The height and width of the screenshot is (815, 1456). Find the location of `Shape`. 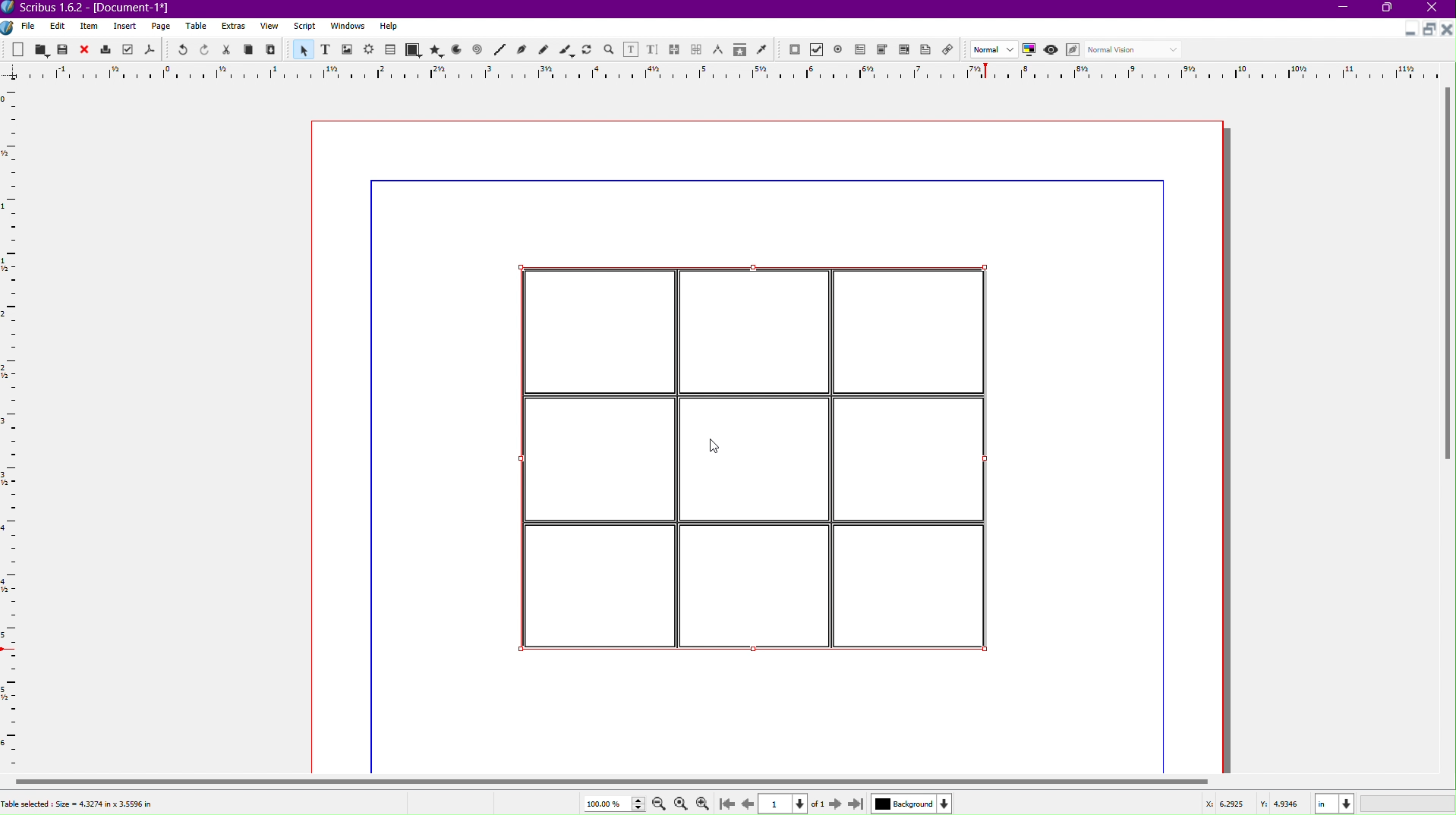

Shape is located at coordinates (414, 51).